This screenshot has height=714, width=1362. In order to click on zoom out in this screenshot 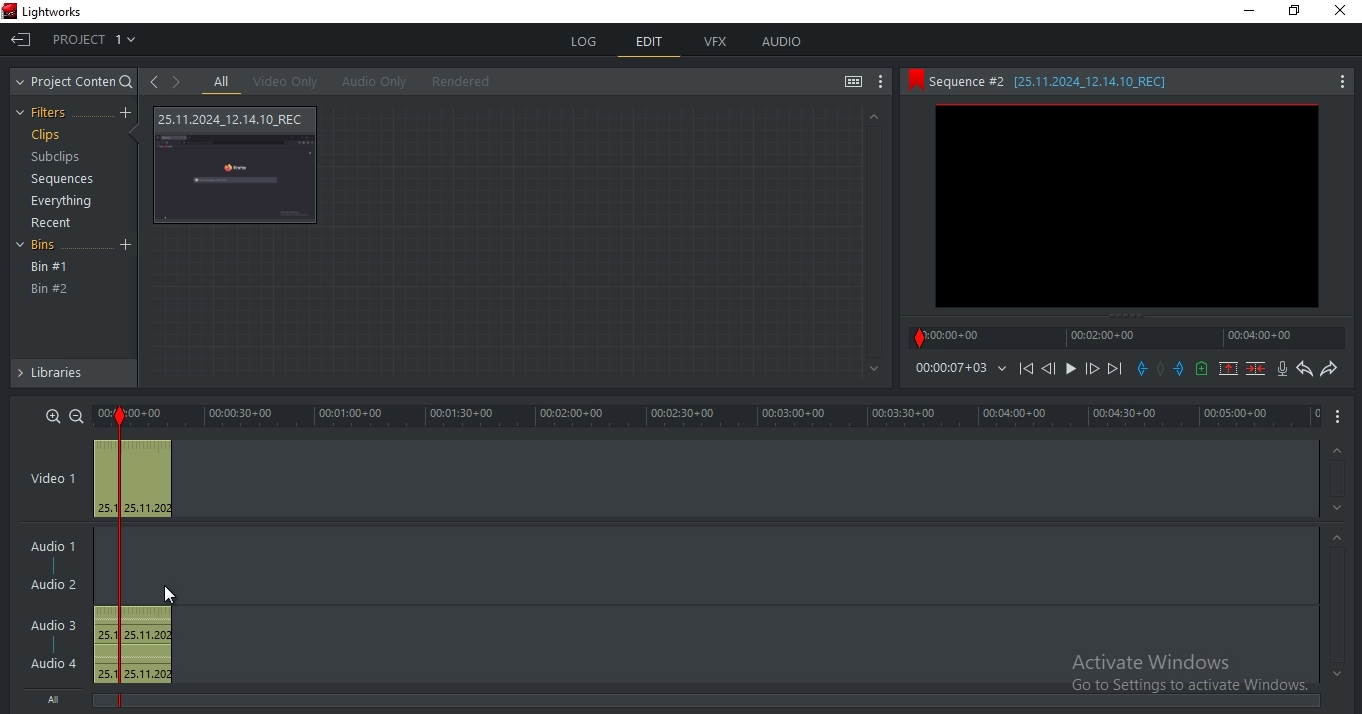, I will do `click(76, 415)`.